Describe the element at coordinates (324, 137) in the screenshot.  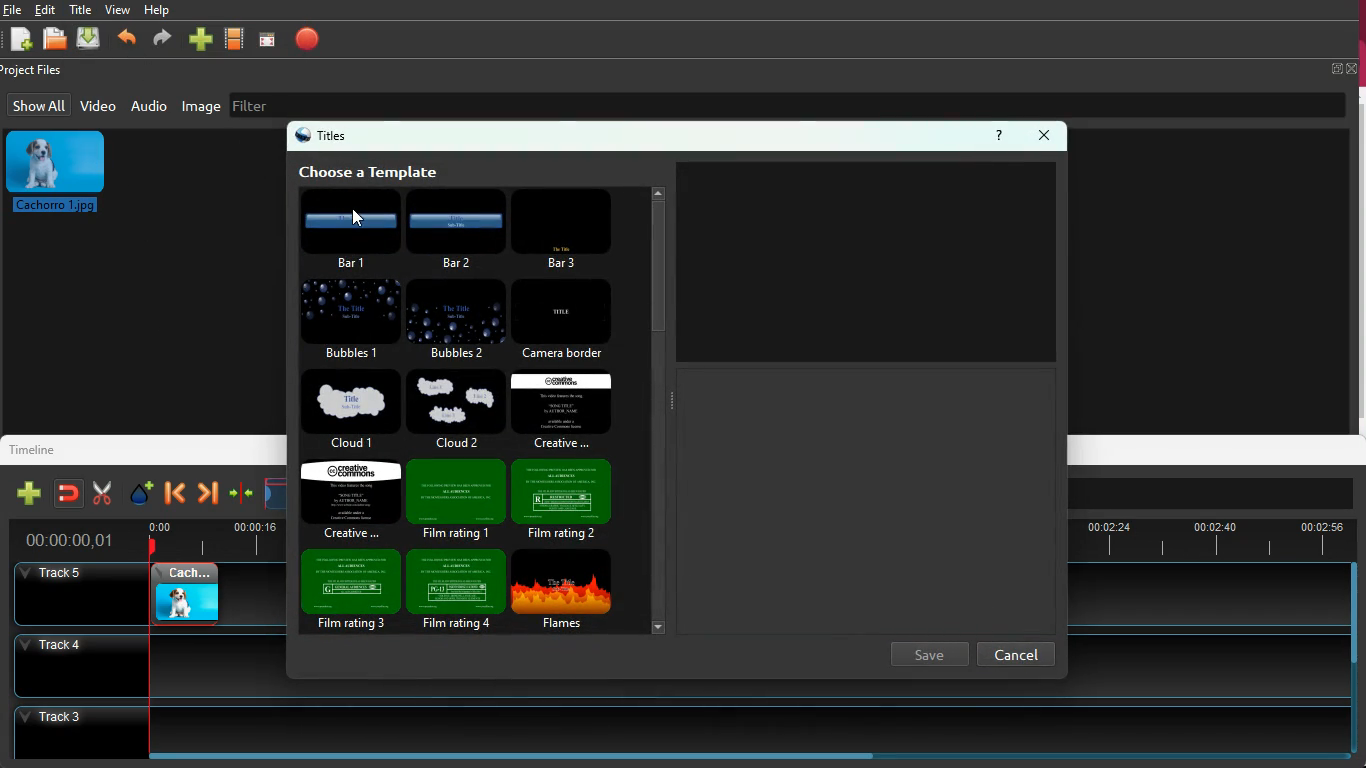
I see `titles` at that location.